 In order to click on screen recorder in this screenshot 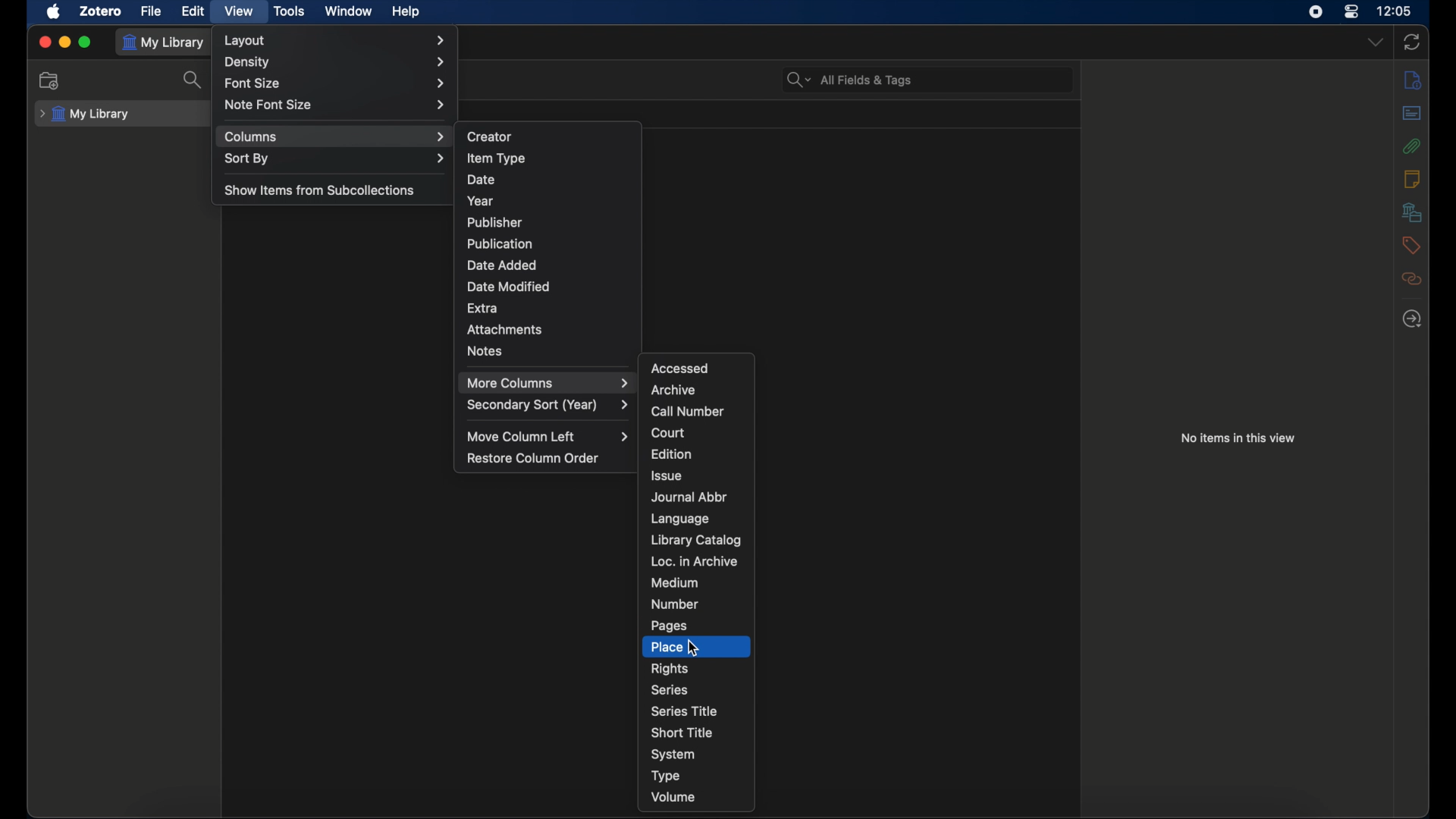, I will do `click(1314, 12)`.